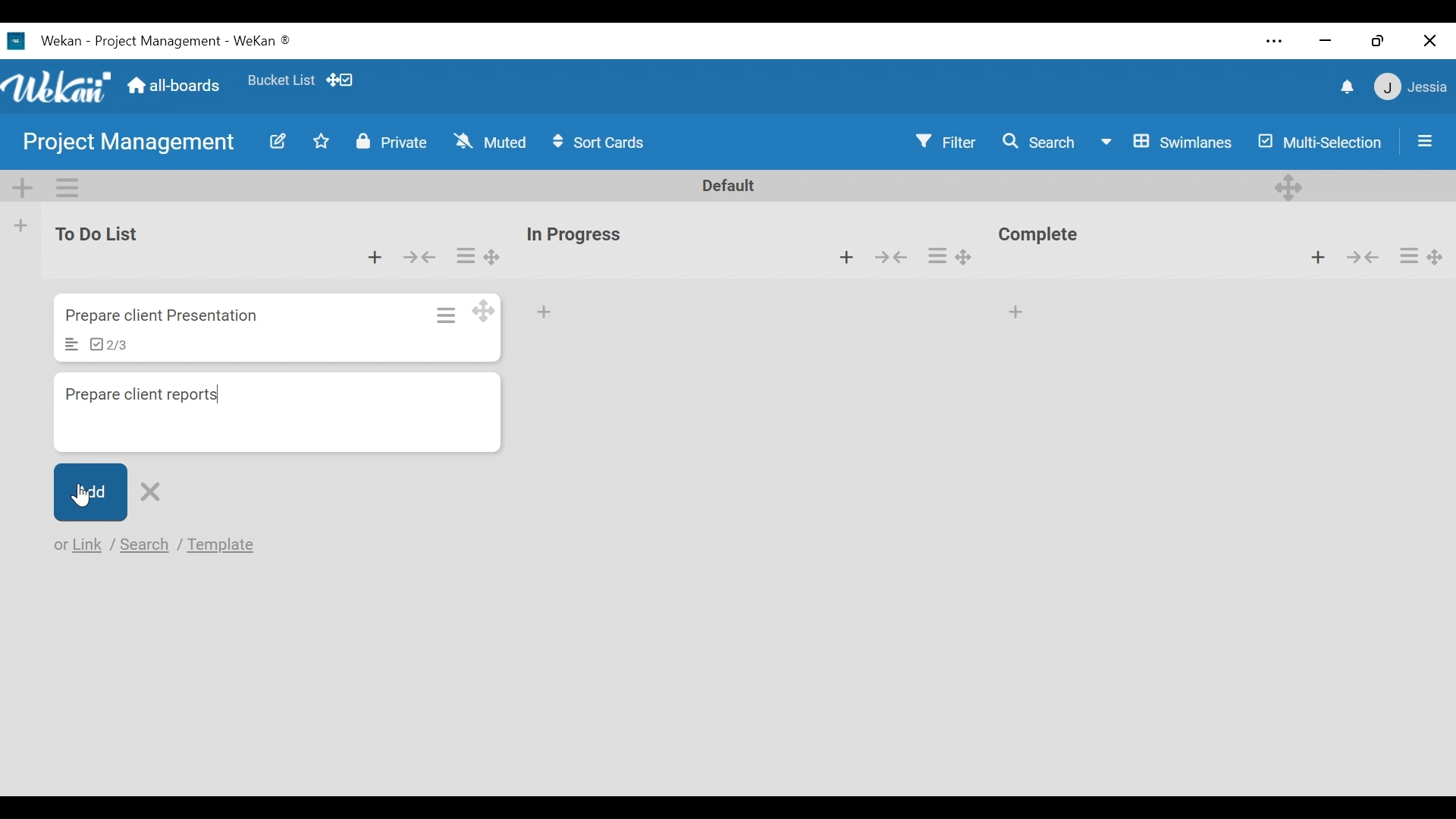 The image size is (1456, 819). What do you see at coordinates (422, 256) in the screenshot?
I see `Collapse` at bounding box center [422, 256].